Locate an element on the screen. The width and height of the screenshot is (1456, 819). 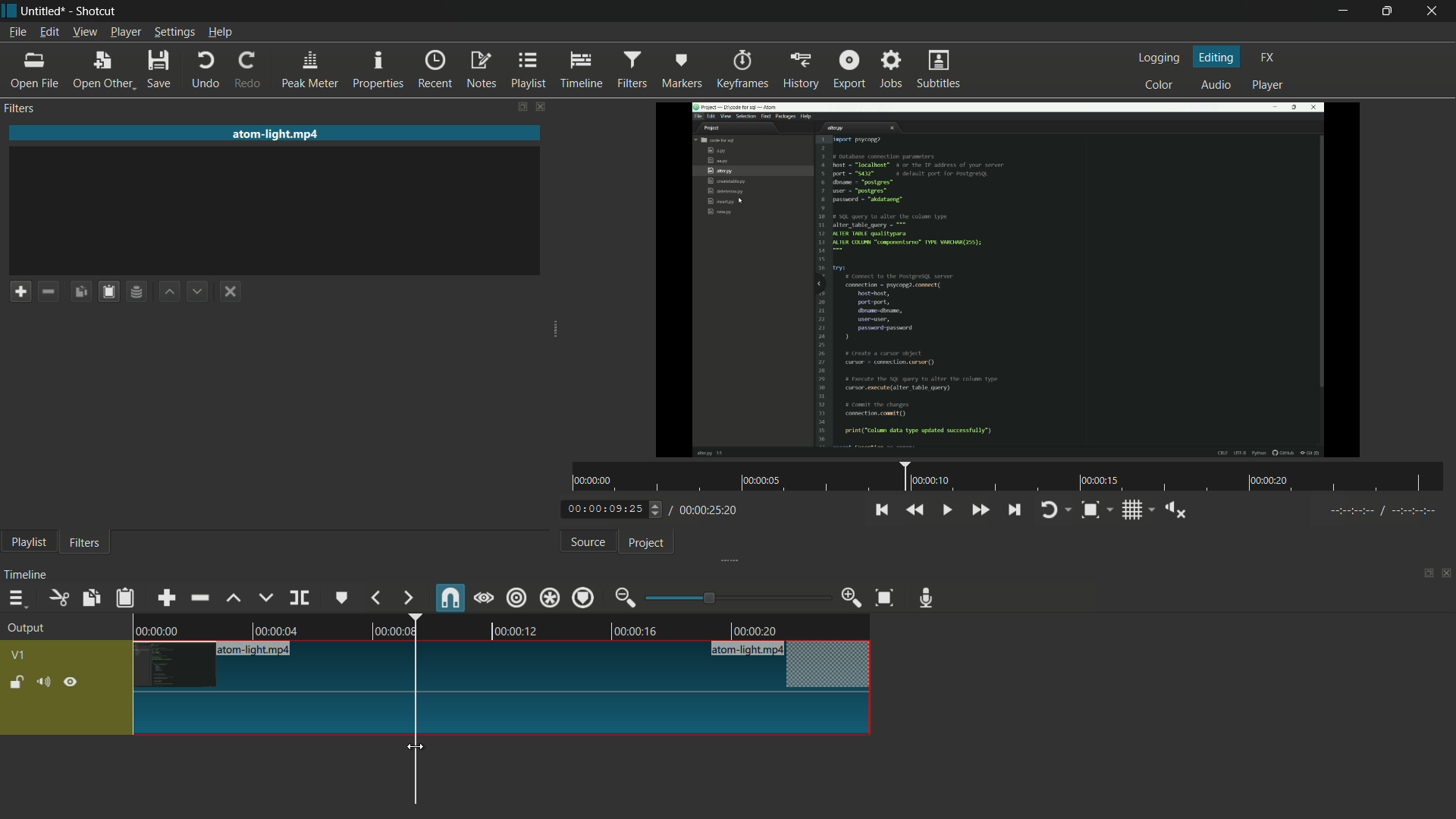
view menu is located at coordinates (83, 33).